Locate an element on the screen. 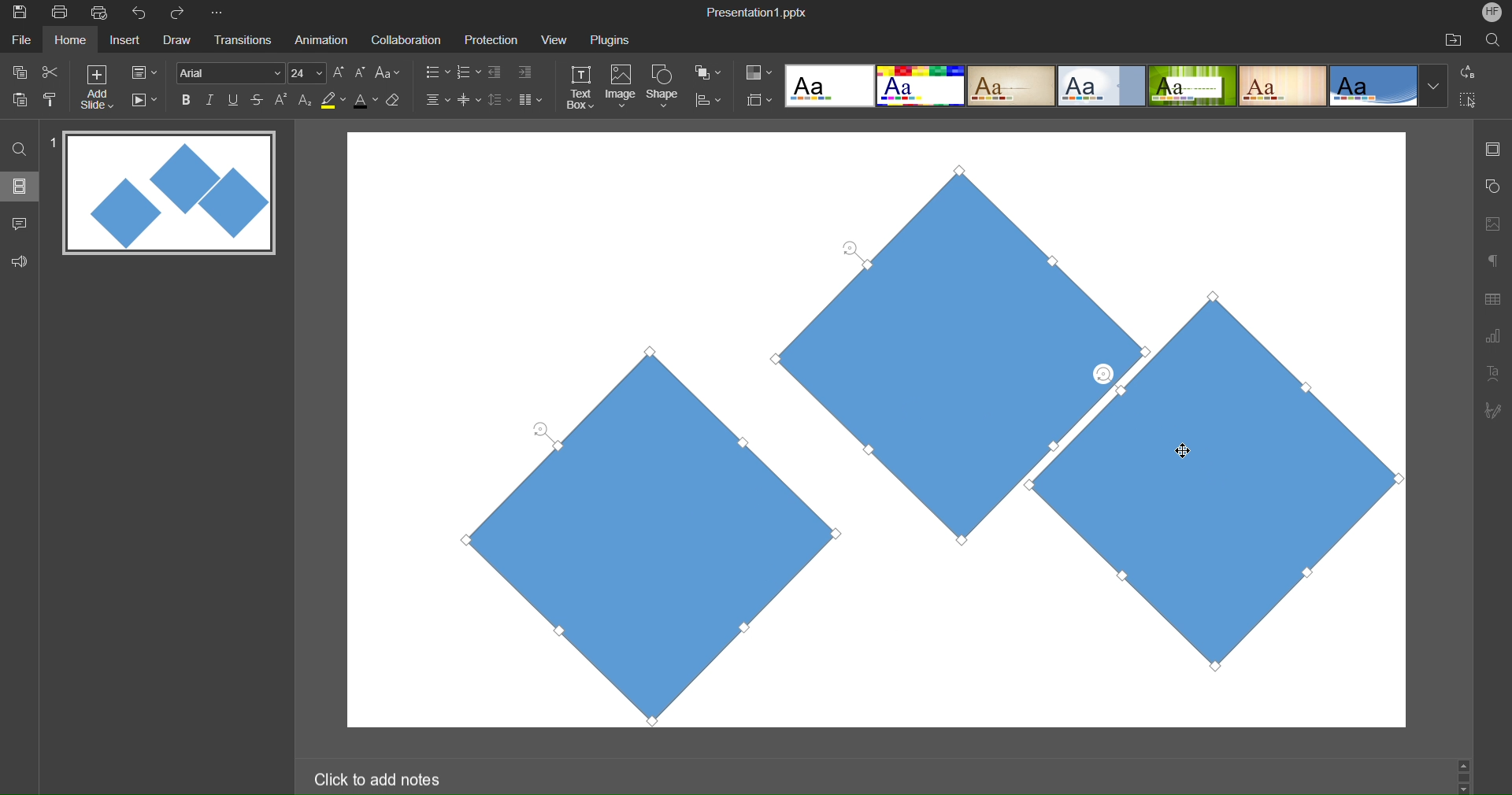 The image size is (1512, 795). select is located at coordinates (1474, 102).